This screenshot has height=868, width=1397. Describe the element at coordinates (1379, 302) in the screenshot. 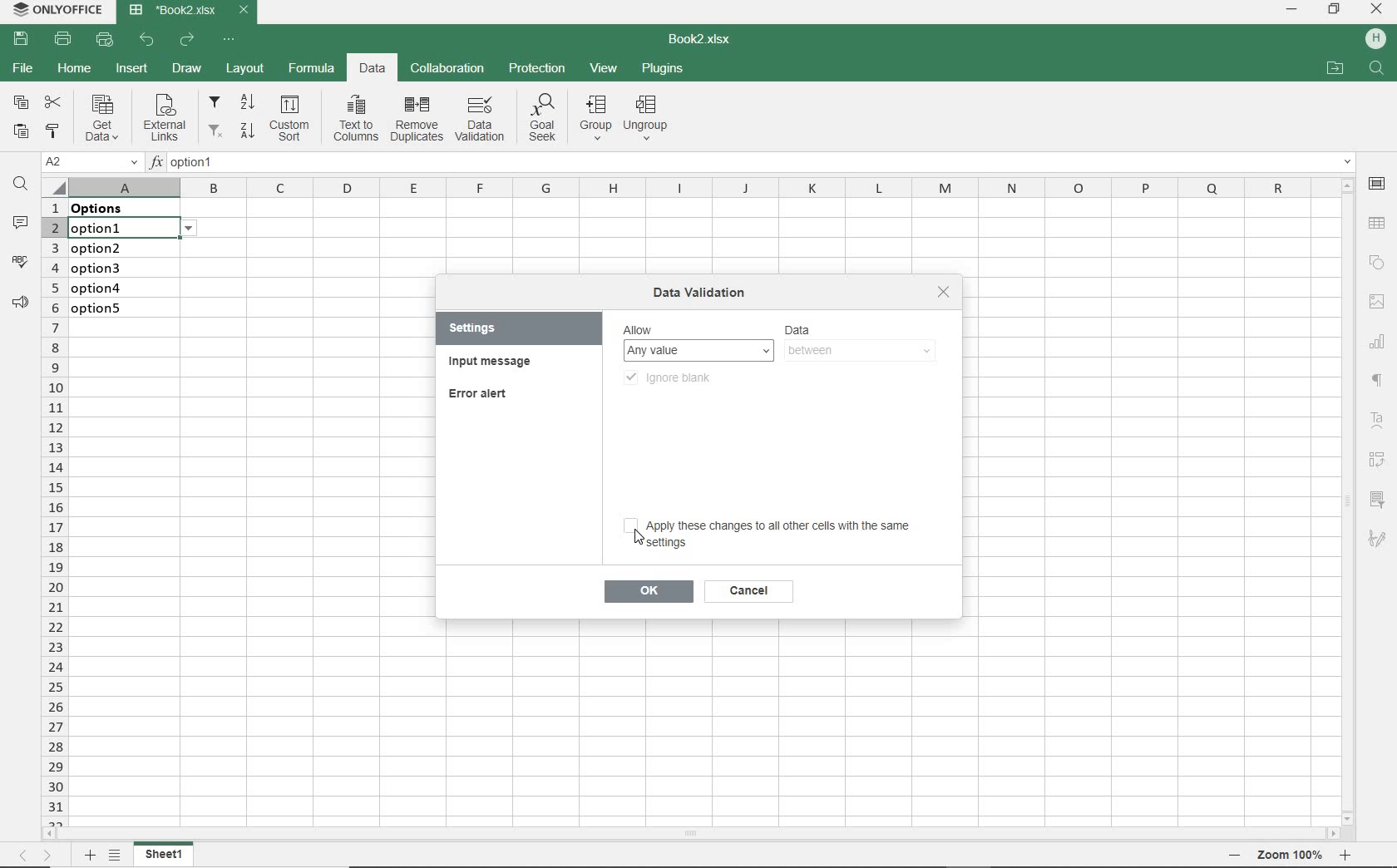

I see `IMAGE` at that location.